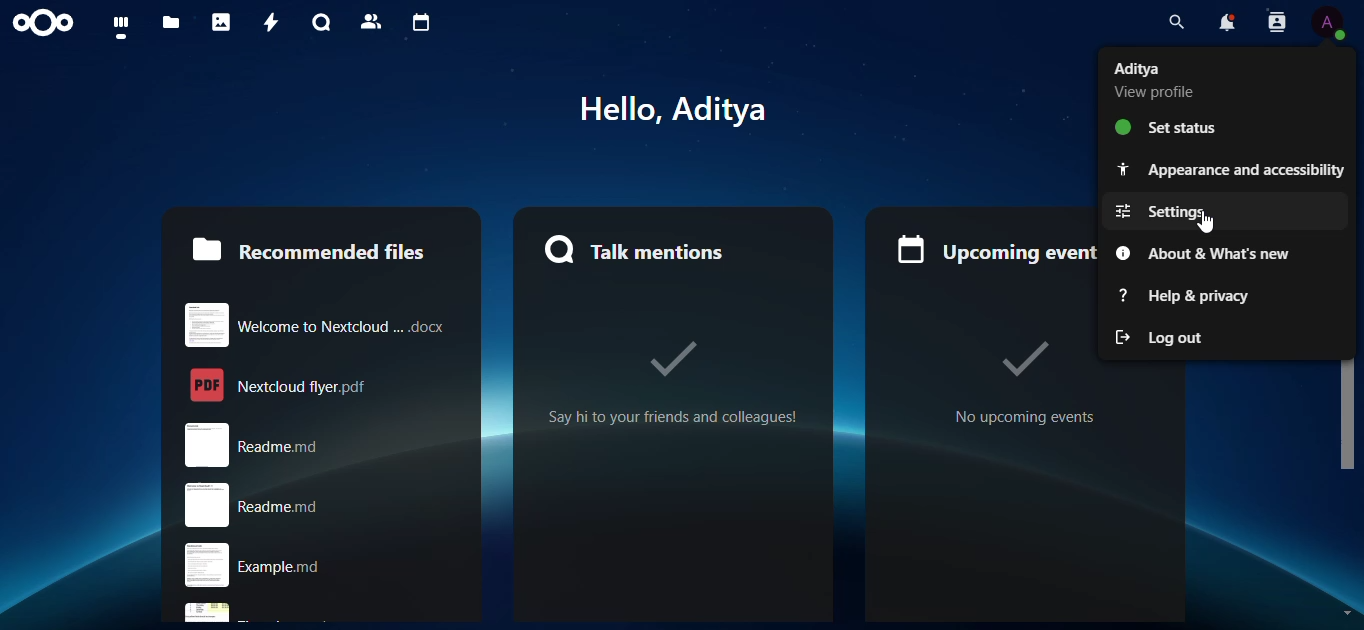  Describe the element at coordinates (323, 444) in the screenshot. I see `Readme` at that location.